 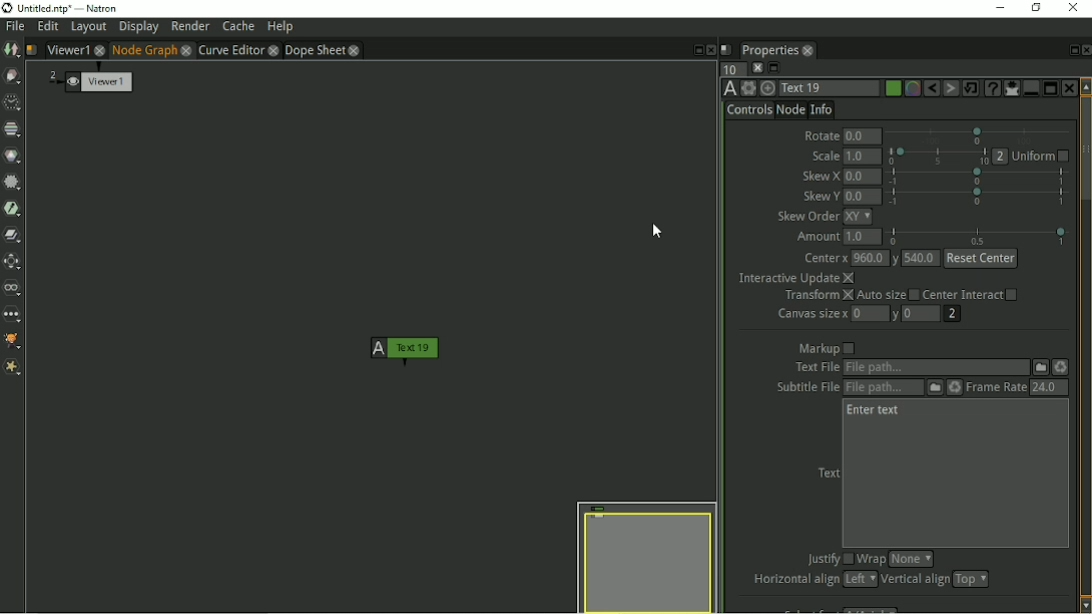 I want to click on Time, so click(x=12, y=103).